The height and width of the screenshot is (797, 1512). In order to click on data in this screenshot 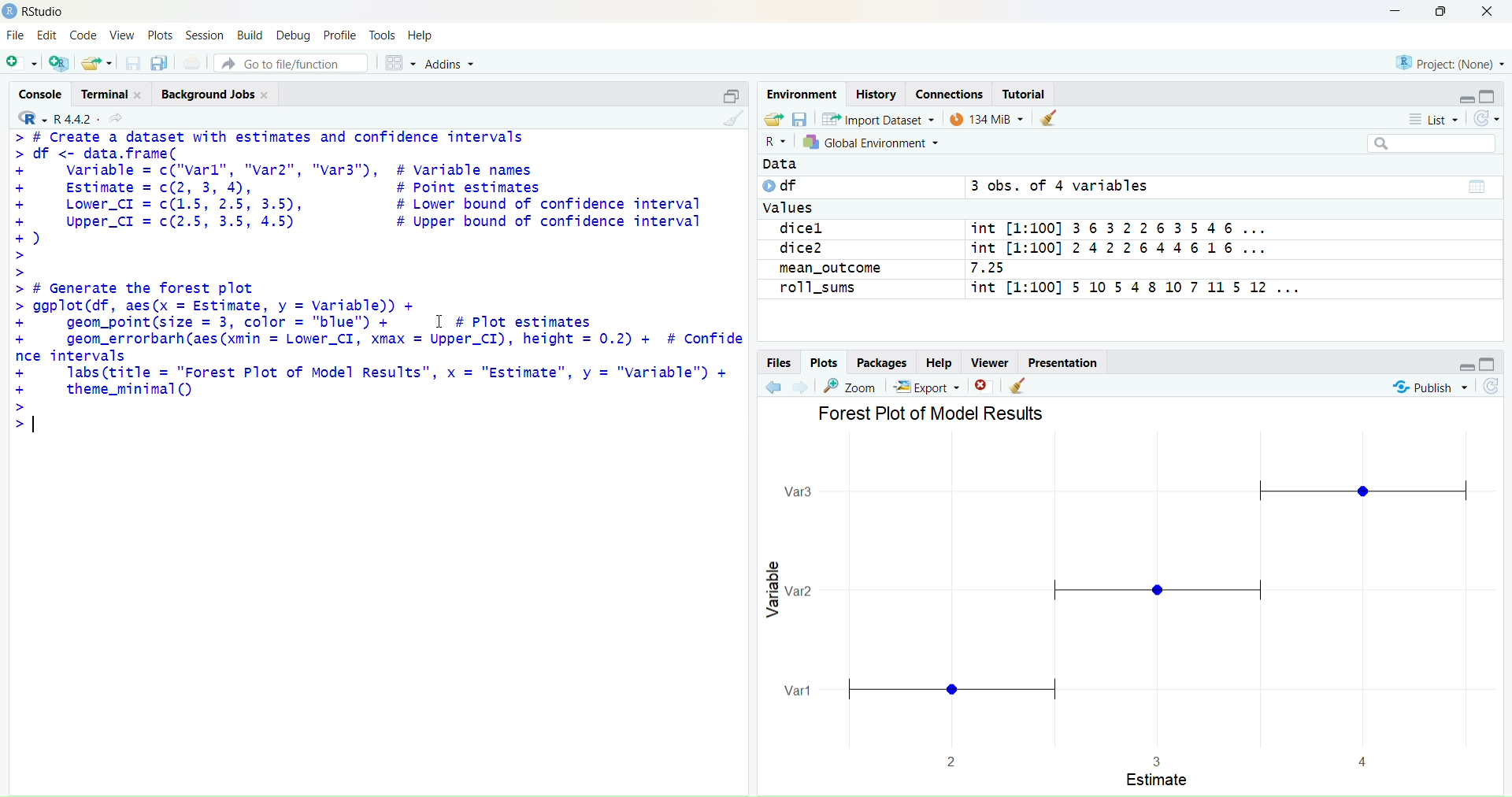, I will do `click(1477, 187)`.